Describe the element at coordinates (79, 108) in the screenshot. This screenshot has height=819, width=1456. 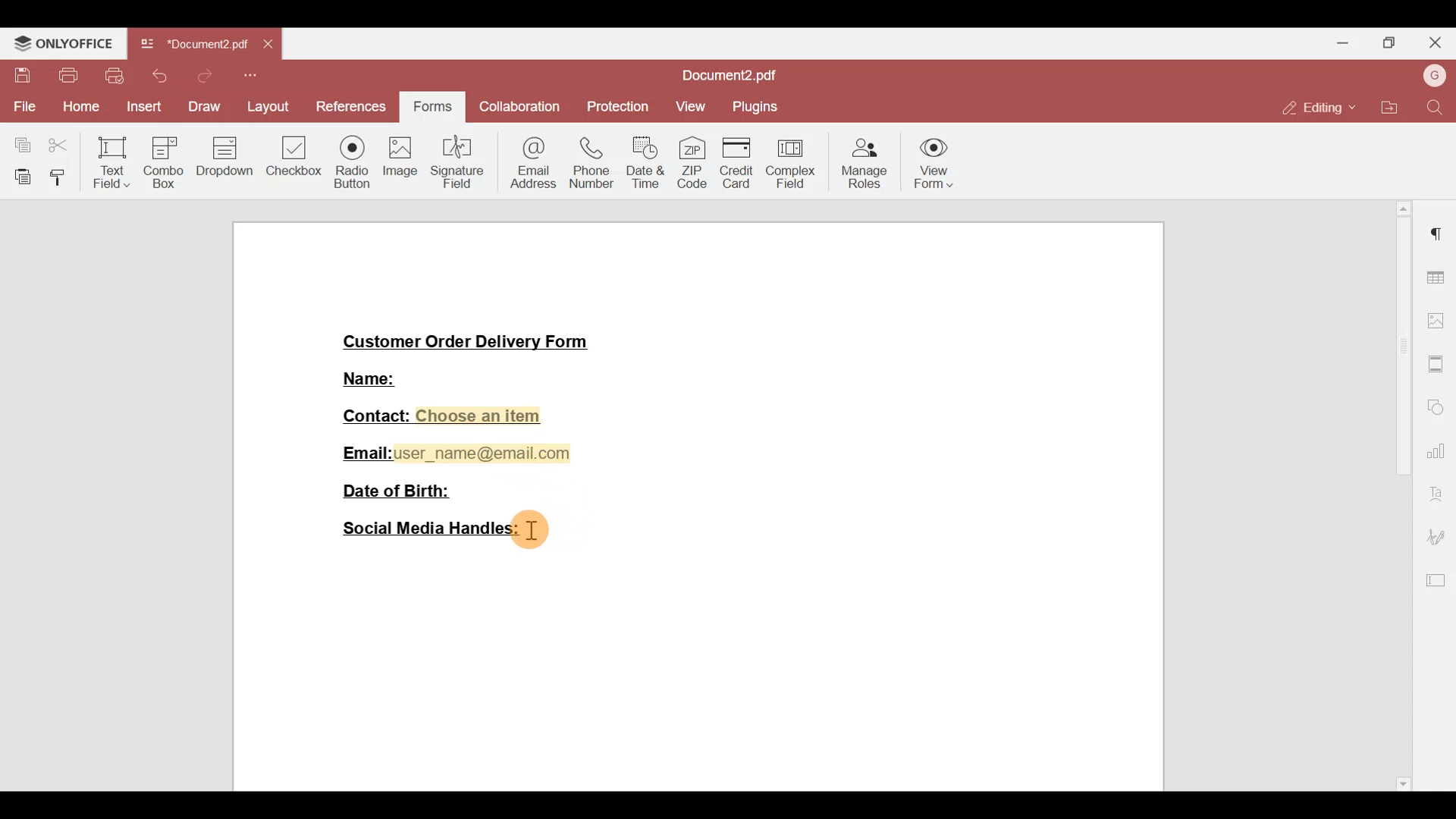
I see `Home` at that location.